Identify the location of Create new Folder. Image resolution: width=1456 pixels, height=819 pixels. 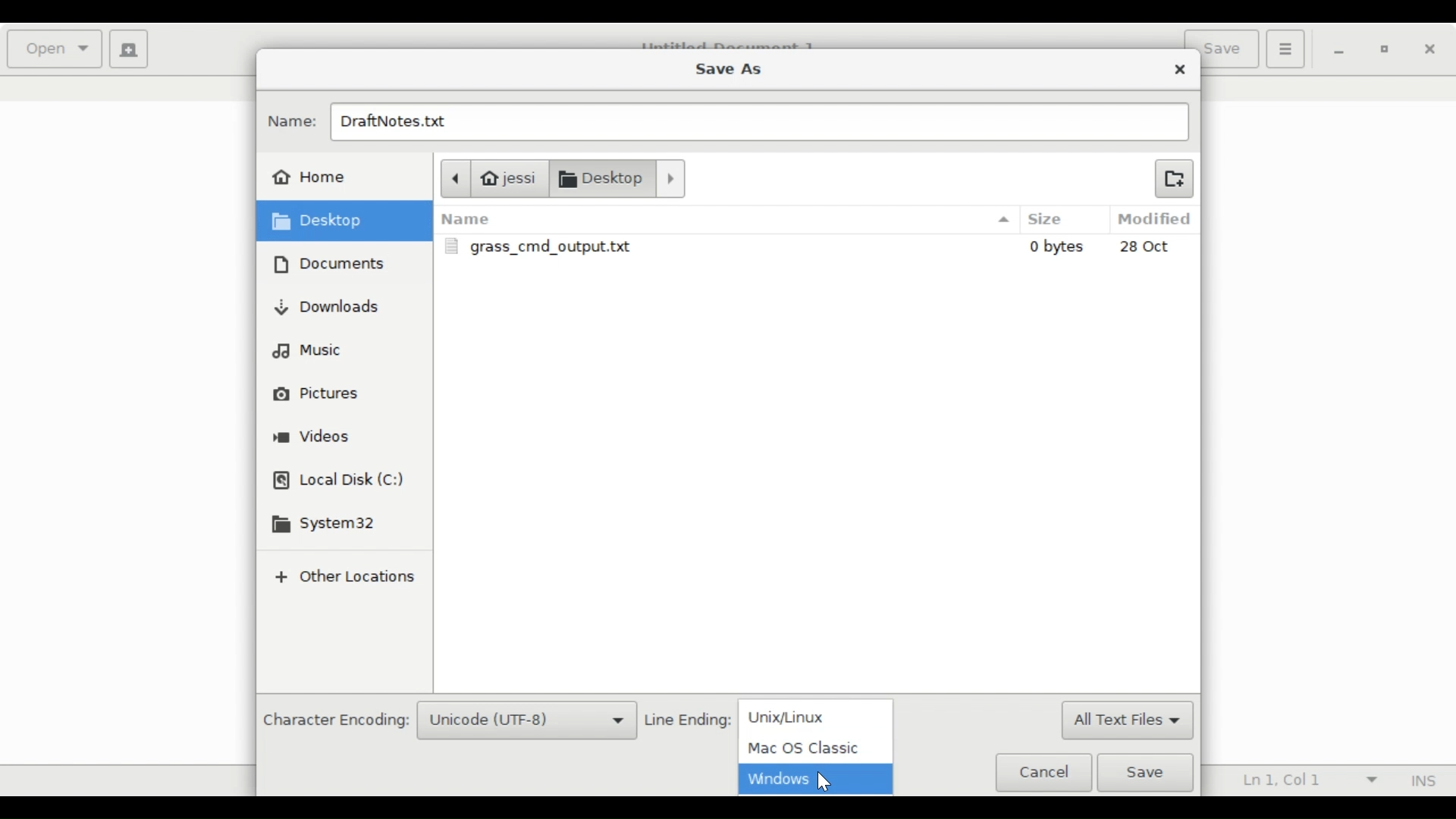
(1173, 177).